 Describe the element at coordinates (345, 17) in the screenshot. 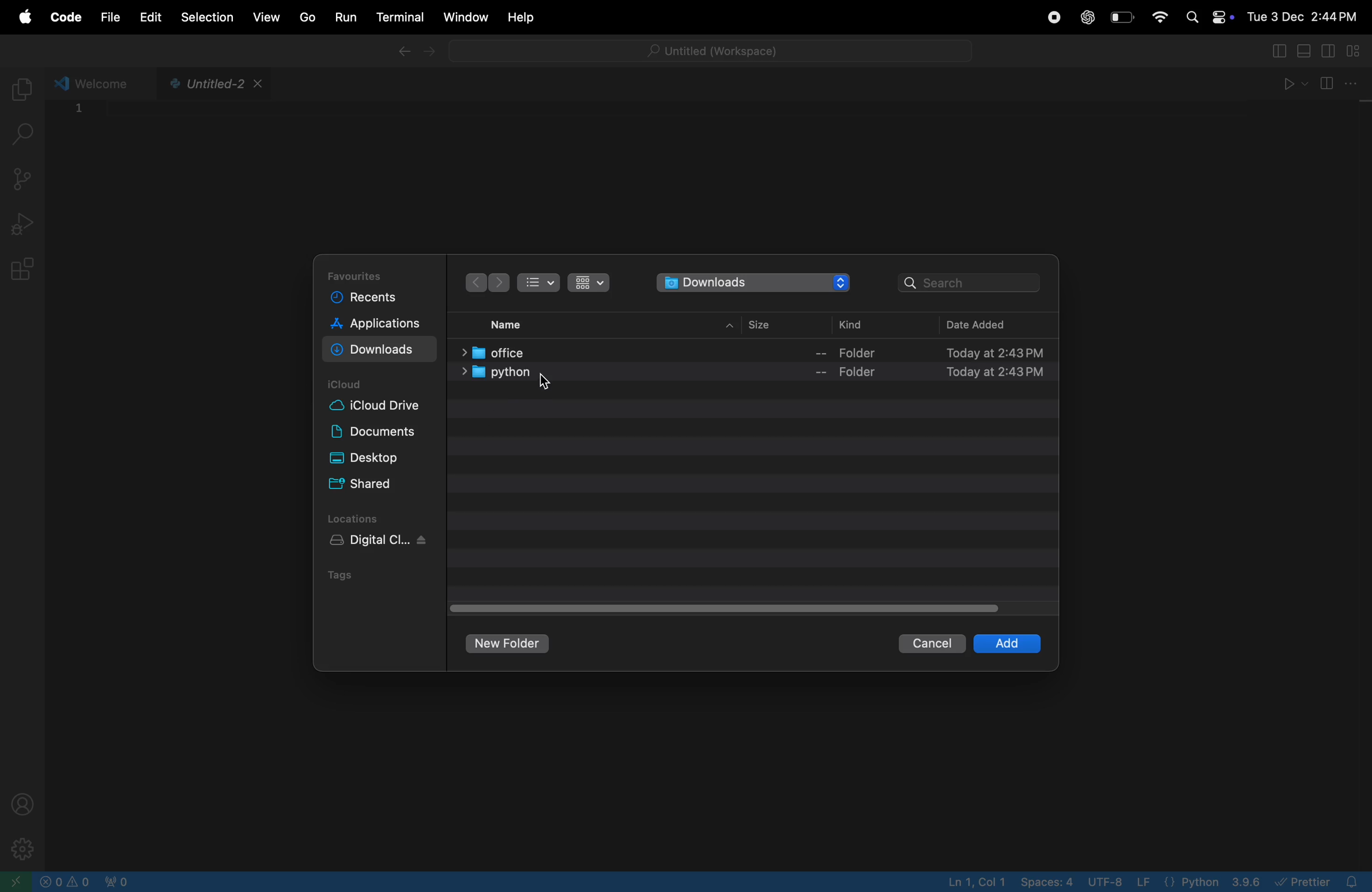

I see `run` at that location.